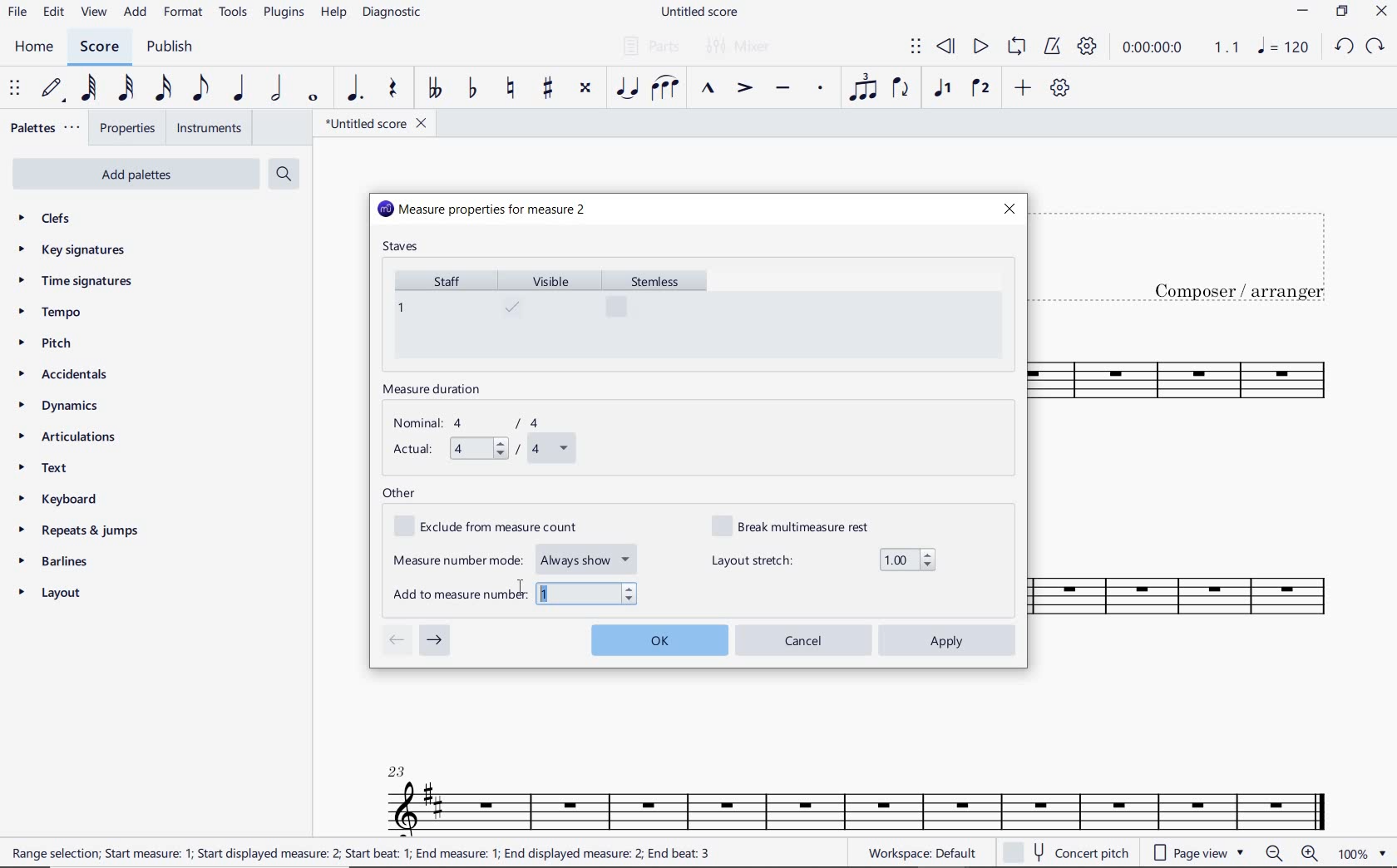 This screenshot has height=868, width=1397. I want to click on PUBLISH, so click(170, 48).